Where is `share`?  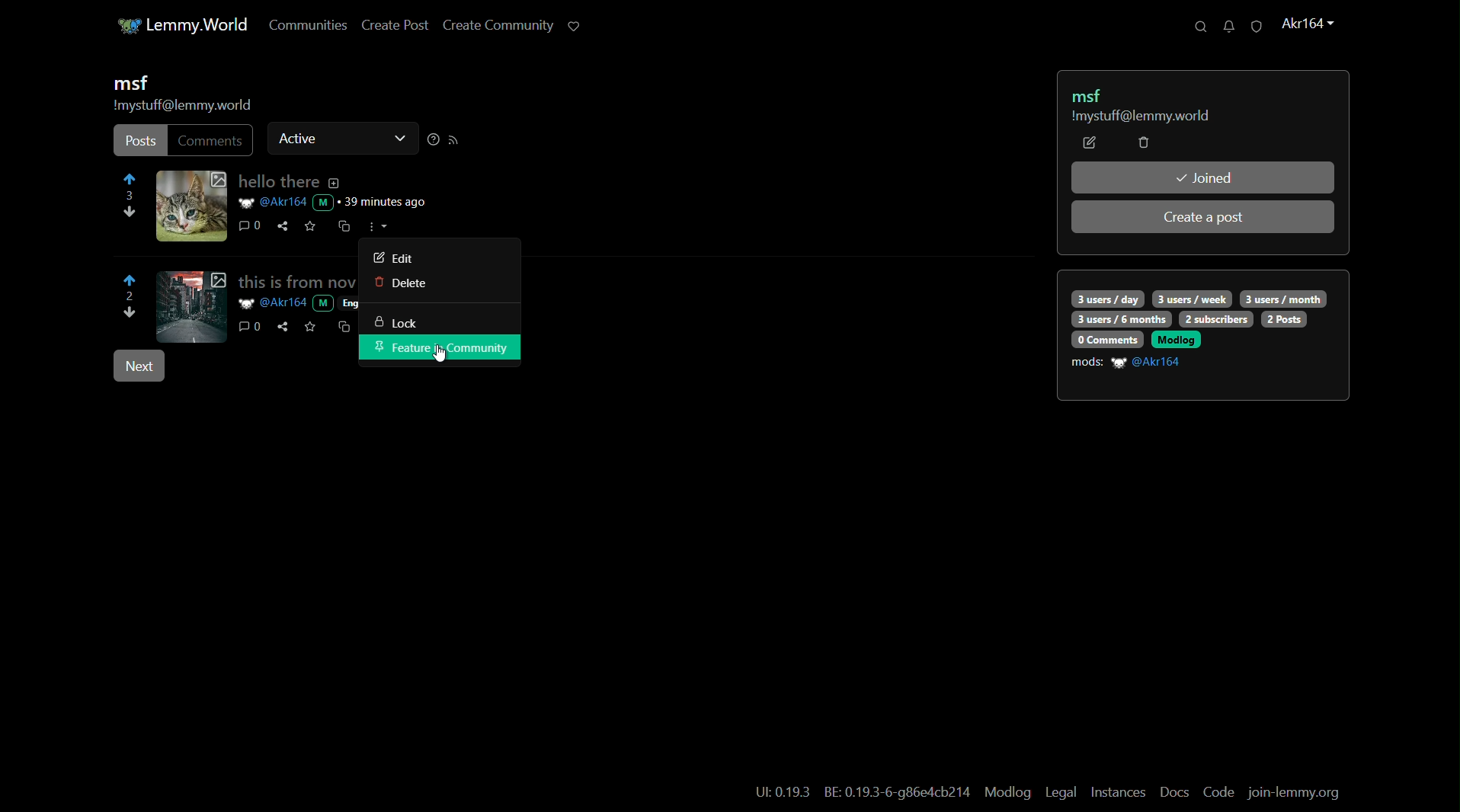
share is located at coordinates (281, 328).